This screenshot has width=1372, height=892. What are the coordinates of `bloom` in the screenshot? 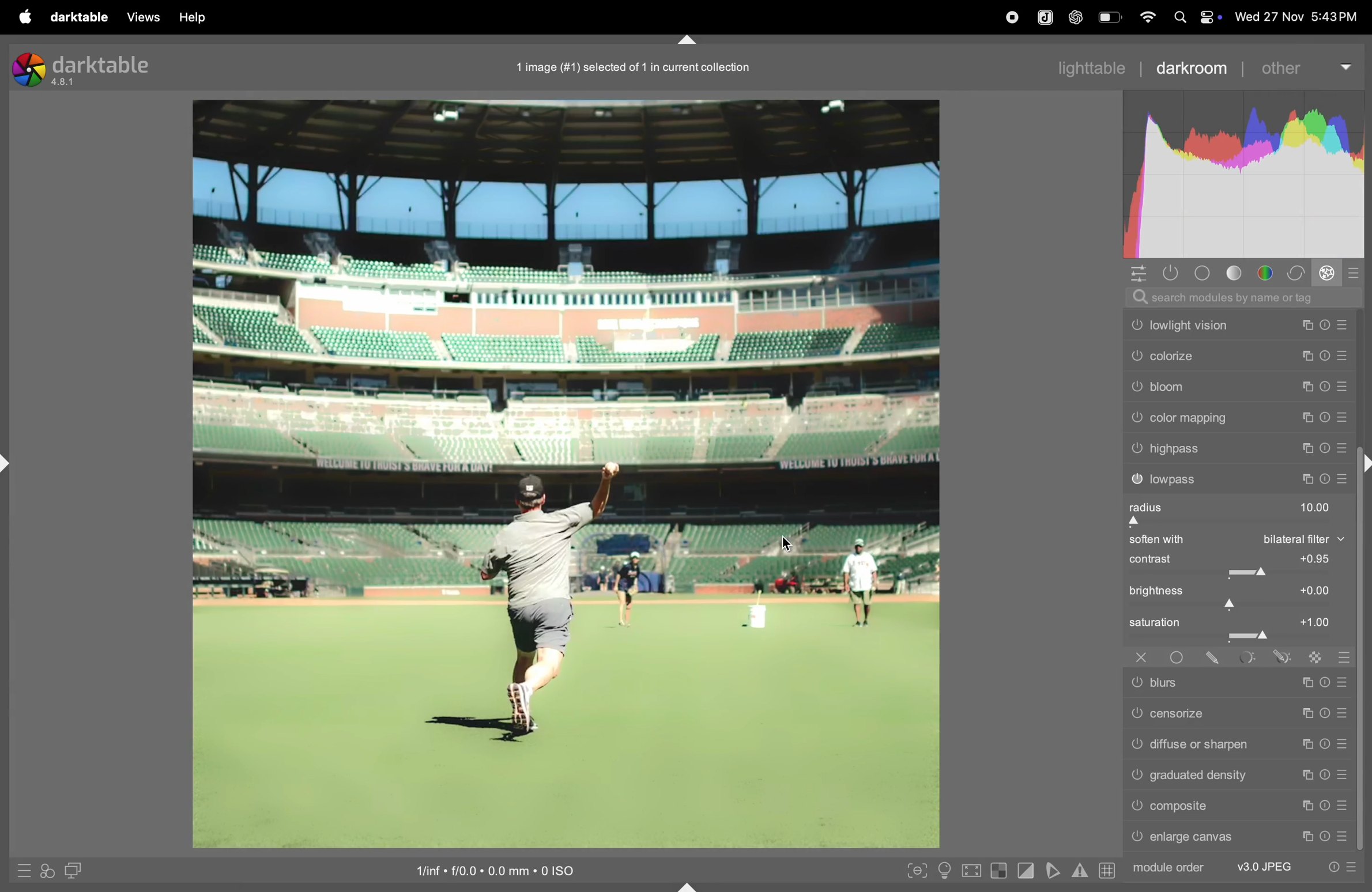 It's located at (1237, 390).